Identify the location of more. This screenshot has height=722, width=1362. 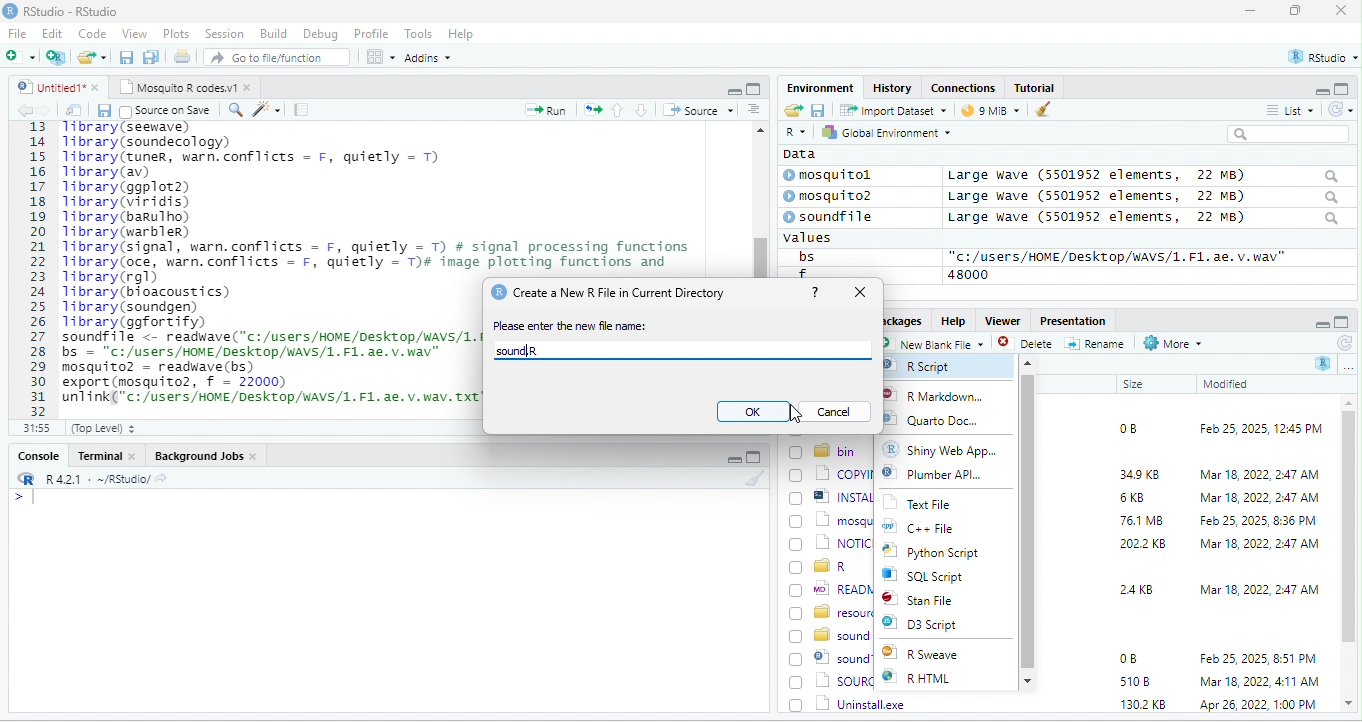
(1348, 366).